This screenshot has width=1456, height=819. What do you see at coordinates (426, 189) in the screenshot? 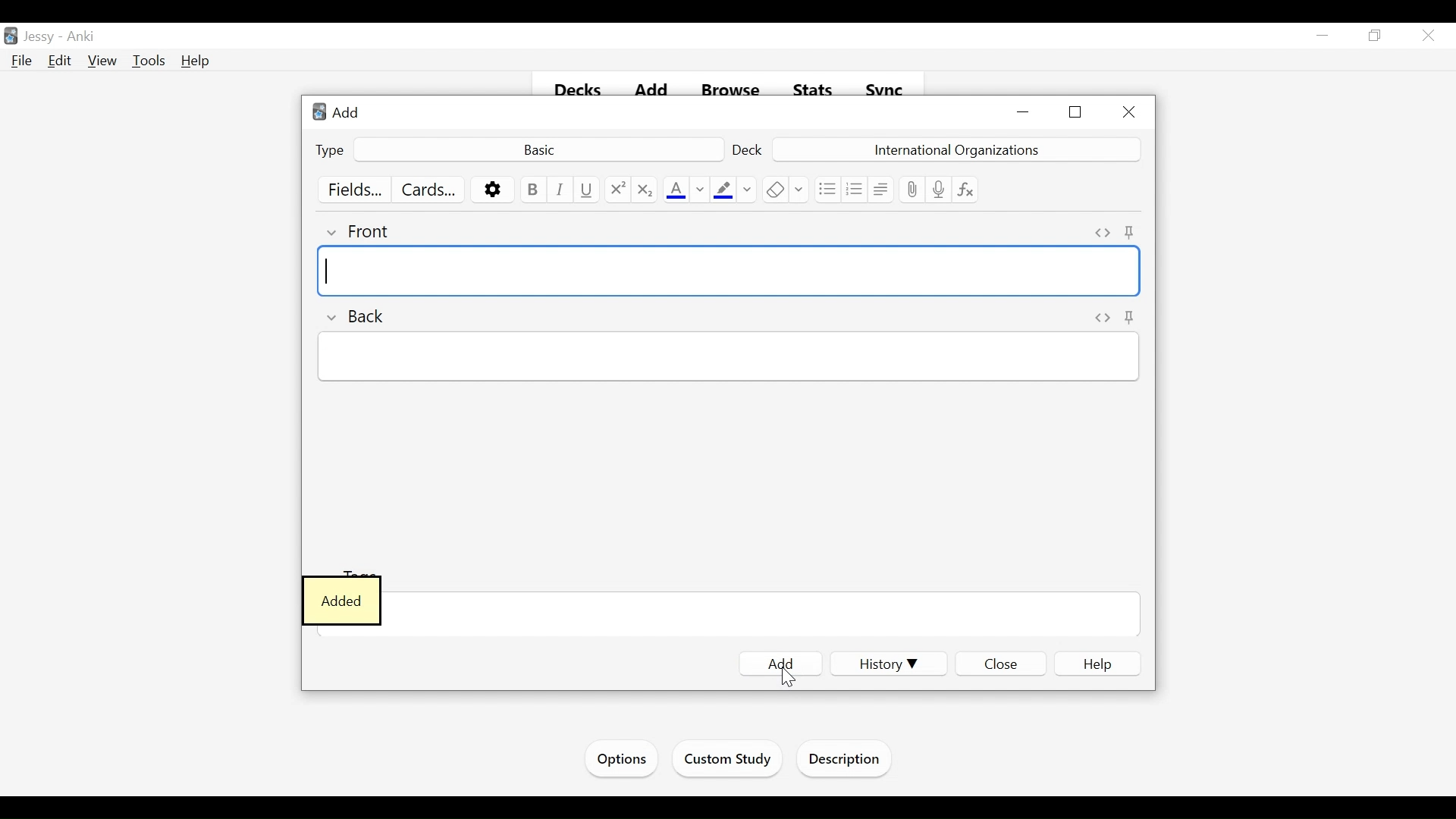
I see `Cards` at bounding box center [426, 189].